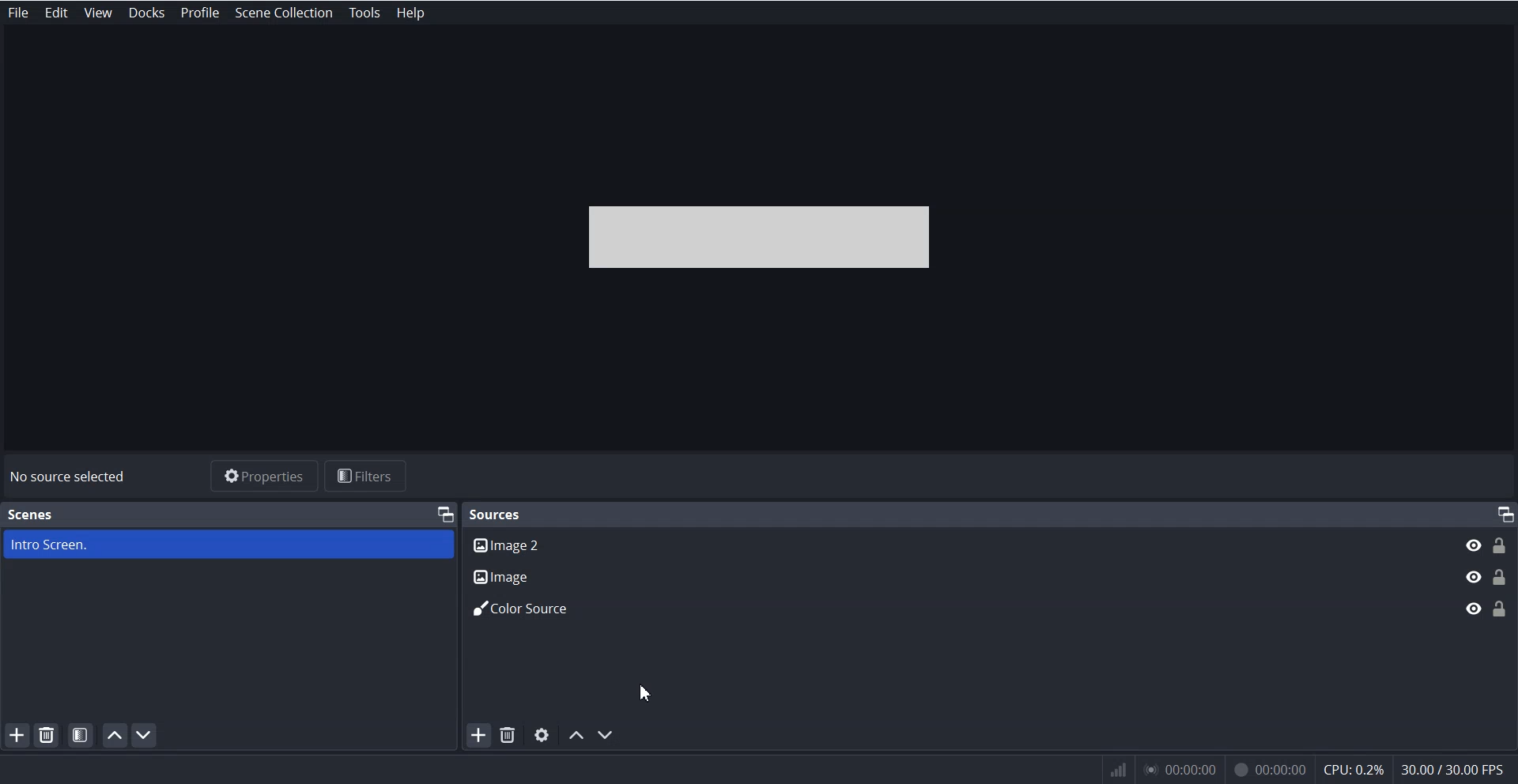 The width and height of the screenshot is (1518, 784). What do you see at coordinates (217, 545) in the screenshot?
I see `Intro Screen` at bounding box center [217, 545].